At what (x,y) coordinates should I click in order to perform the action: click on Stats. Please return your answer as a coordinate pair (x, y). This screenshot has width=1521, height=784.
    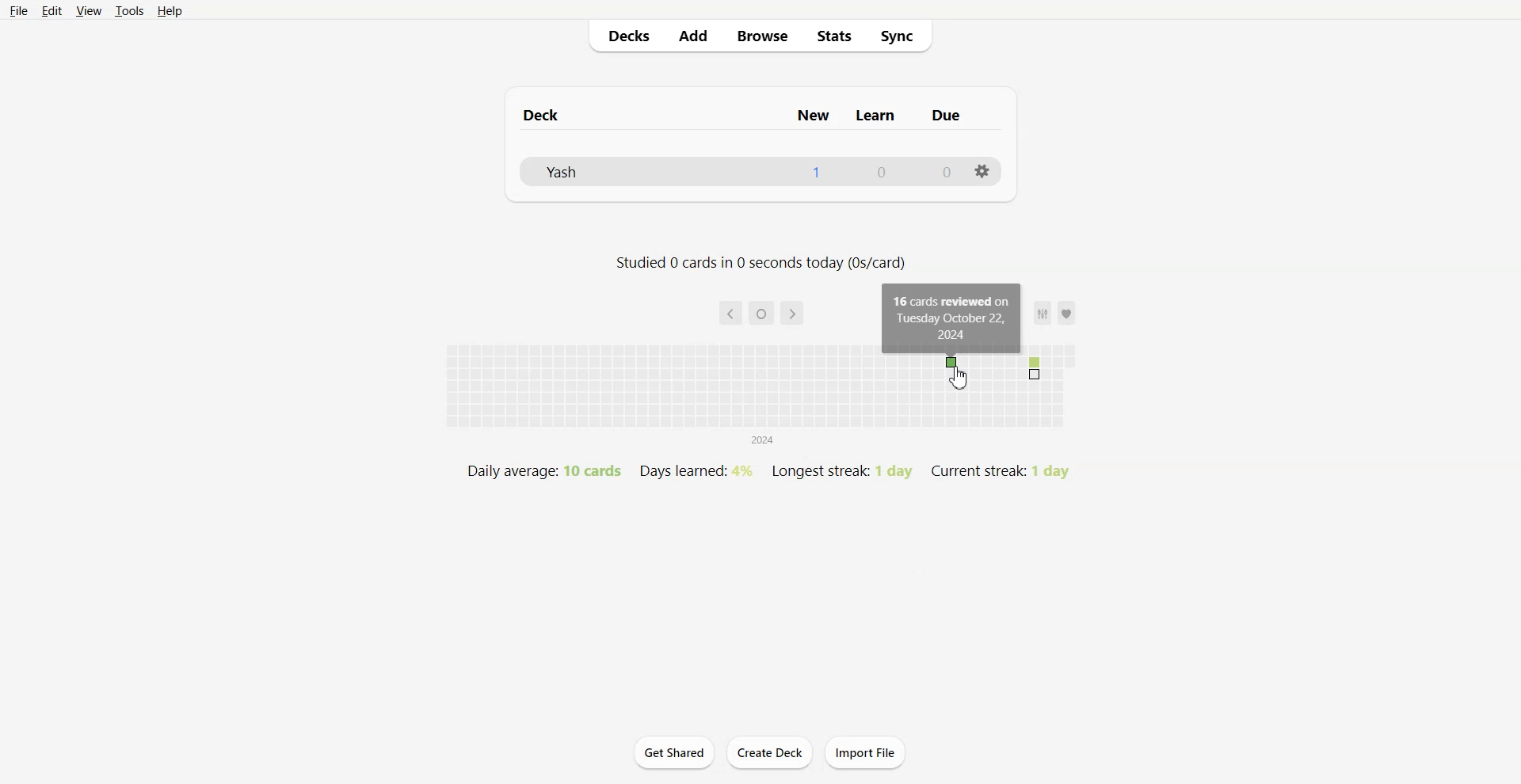
    Looking at the image, I should click on (838, 36).